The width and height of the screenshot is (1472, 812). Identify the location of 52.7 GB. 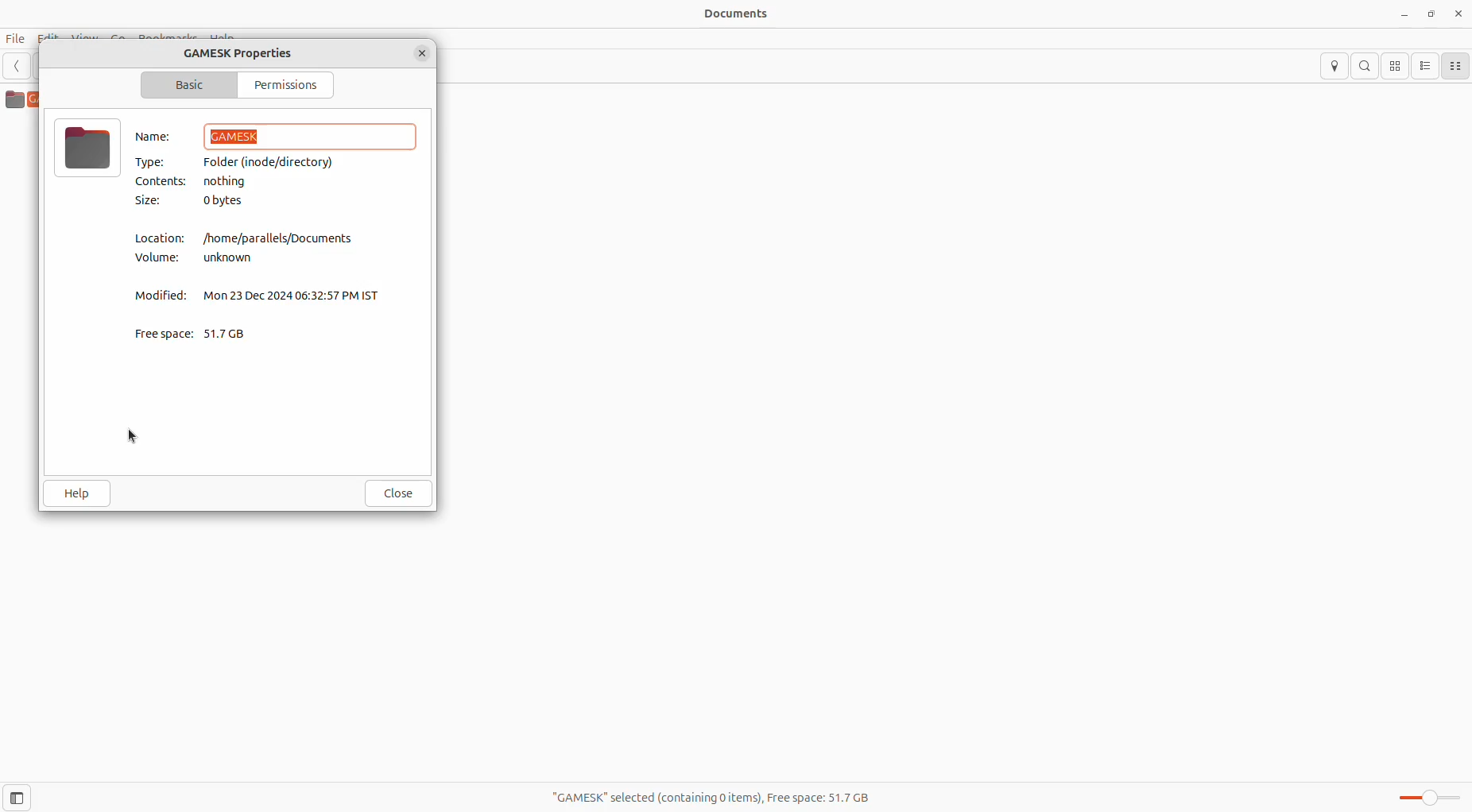
(232, 334).